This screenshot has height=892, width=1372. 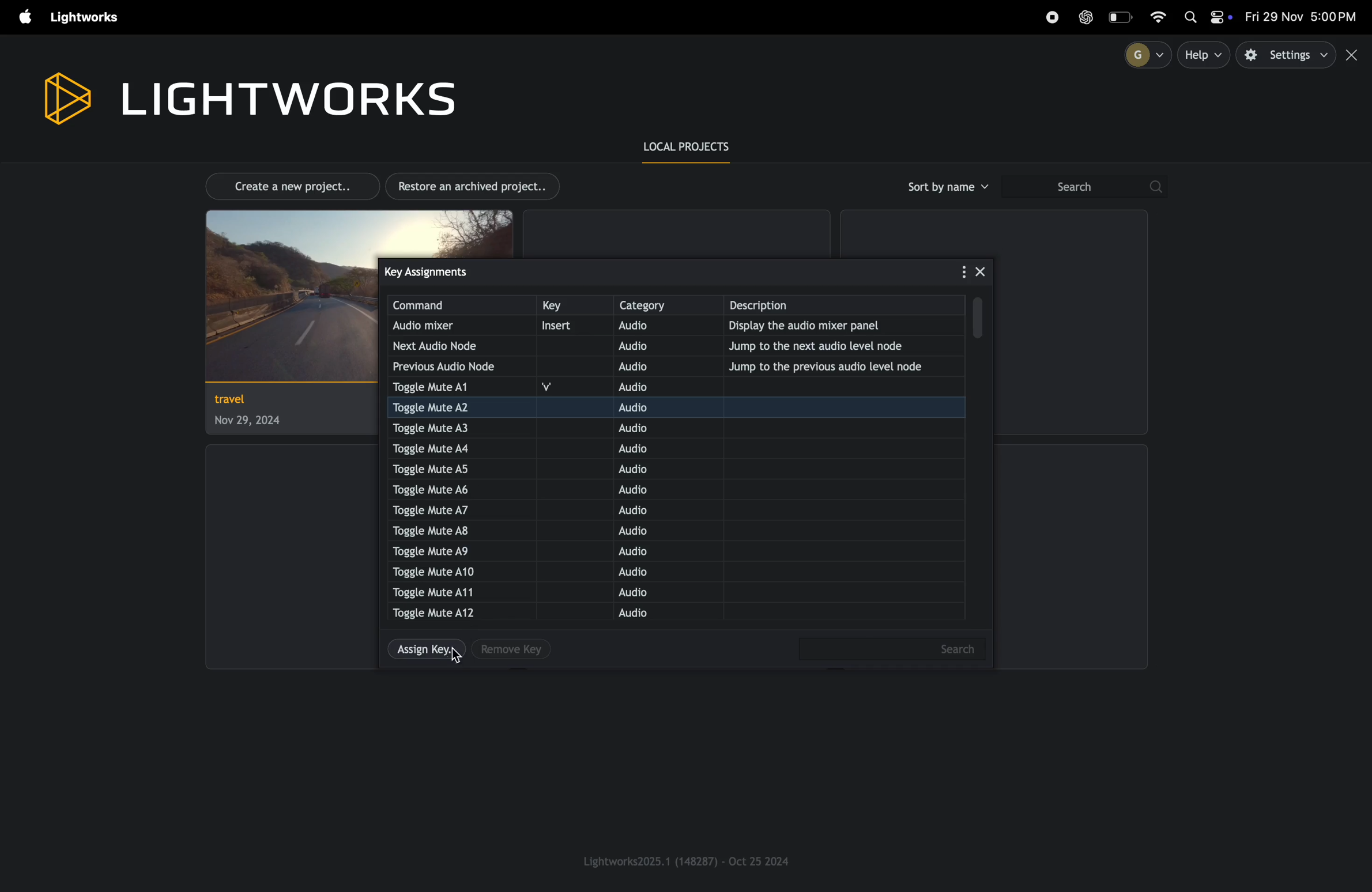 What do you see at coordinates (20, 18) in the screenshot?
I see `apple menu` at bounding box center [20, 18].